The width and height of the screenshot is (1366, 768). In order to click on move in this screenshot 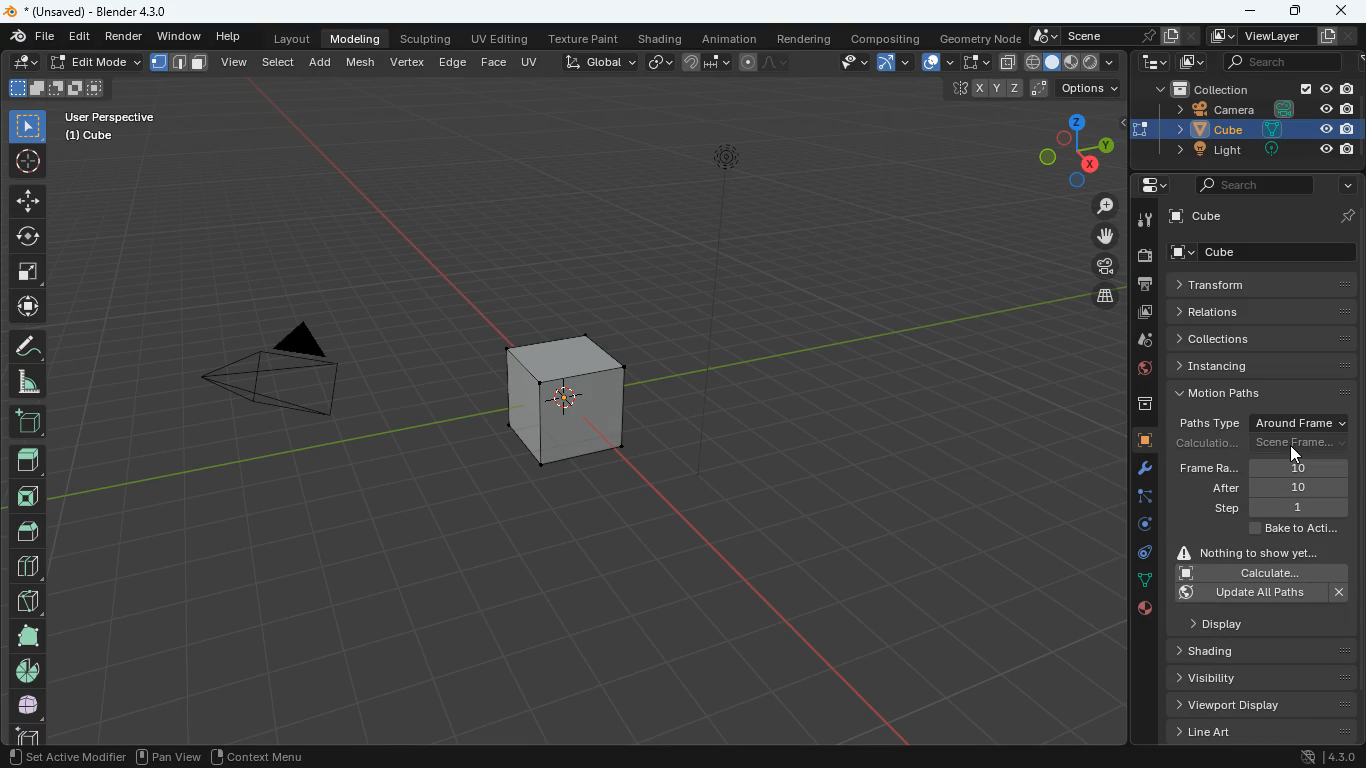, I will do `click(27, 200)`.